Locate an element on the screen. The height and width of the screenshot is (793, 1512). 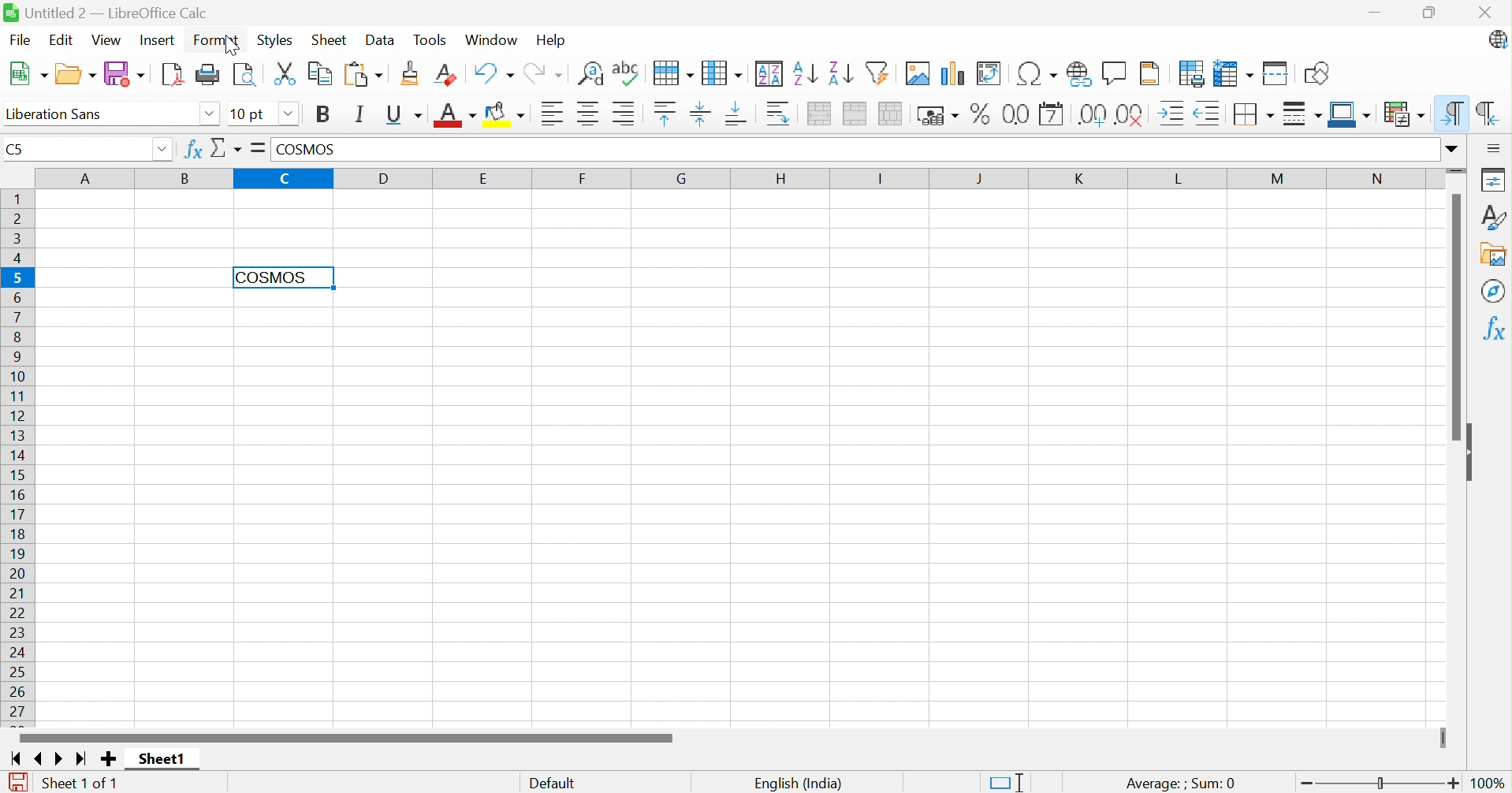
Slider is located at coordinates (1458, 170).